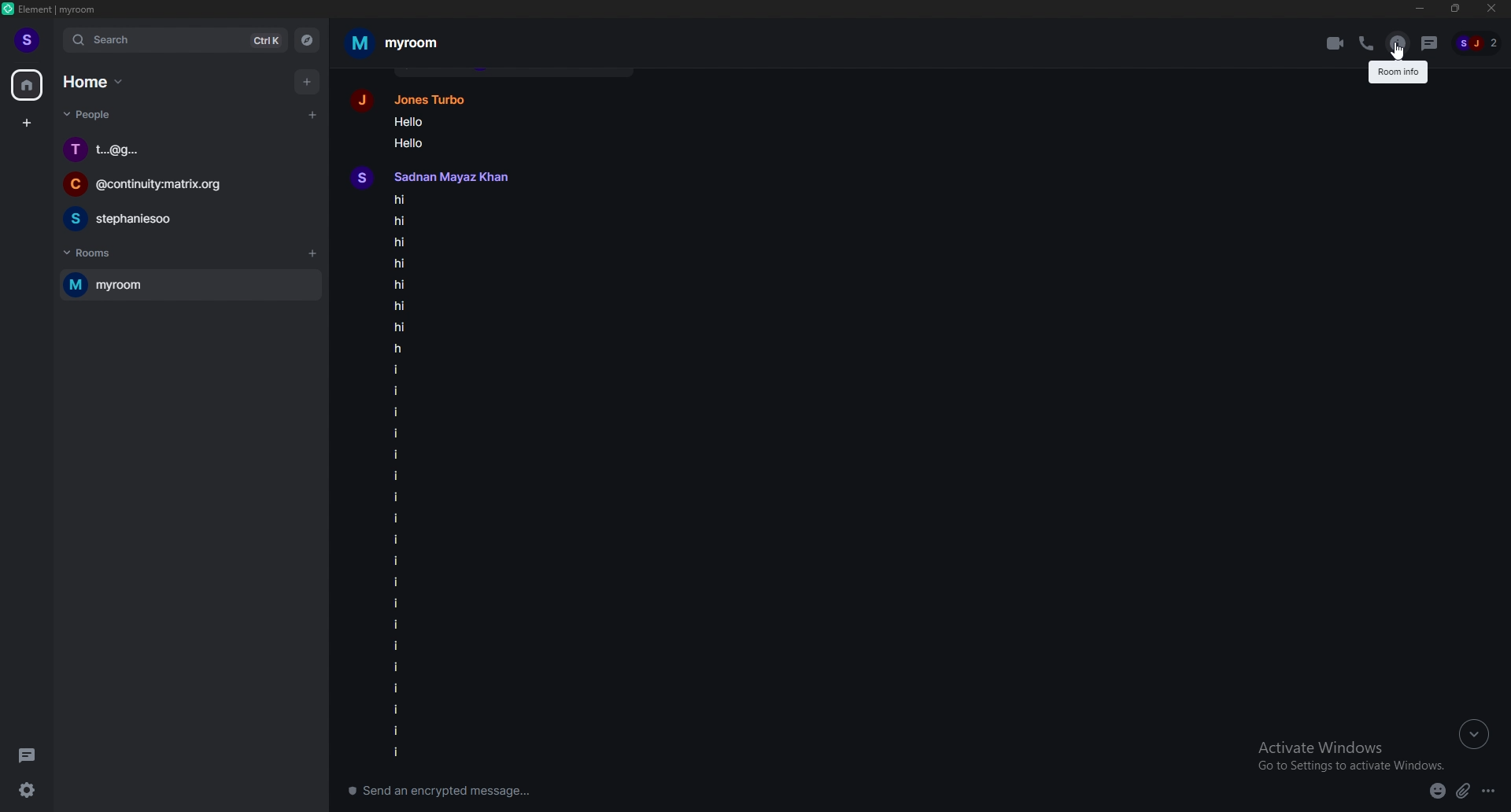 The image size is (1511, 812). I want to click on resize, so click(1457, 8).